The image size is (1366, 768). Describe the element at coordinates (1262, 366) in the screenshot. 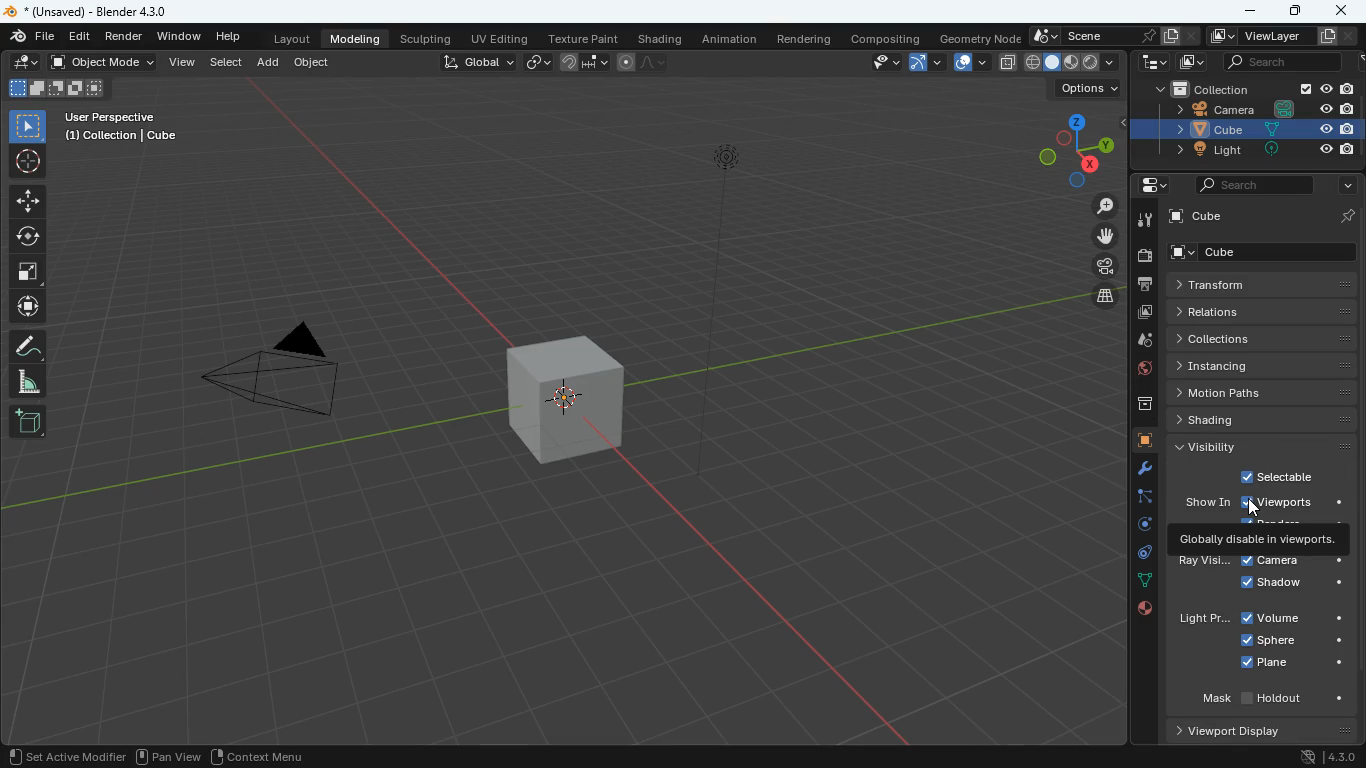

I see `instancing` at that location.